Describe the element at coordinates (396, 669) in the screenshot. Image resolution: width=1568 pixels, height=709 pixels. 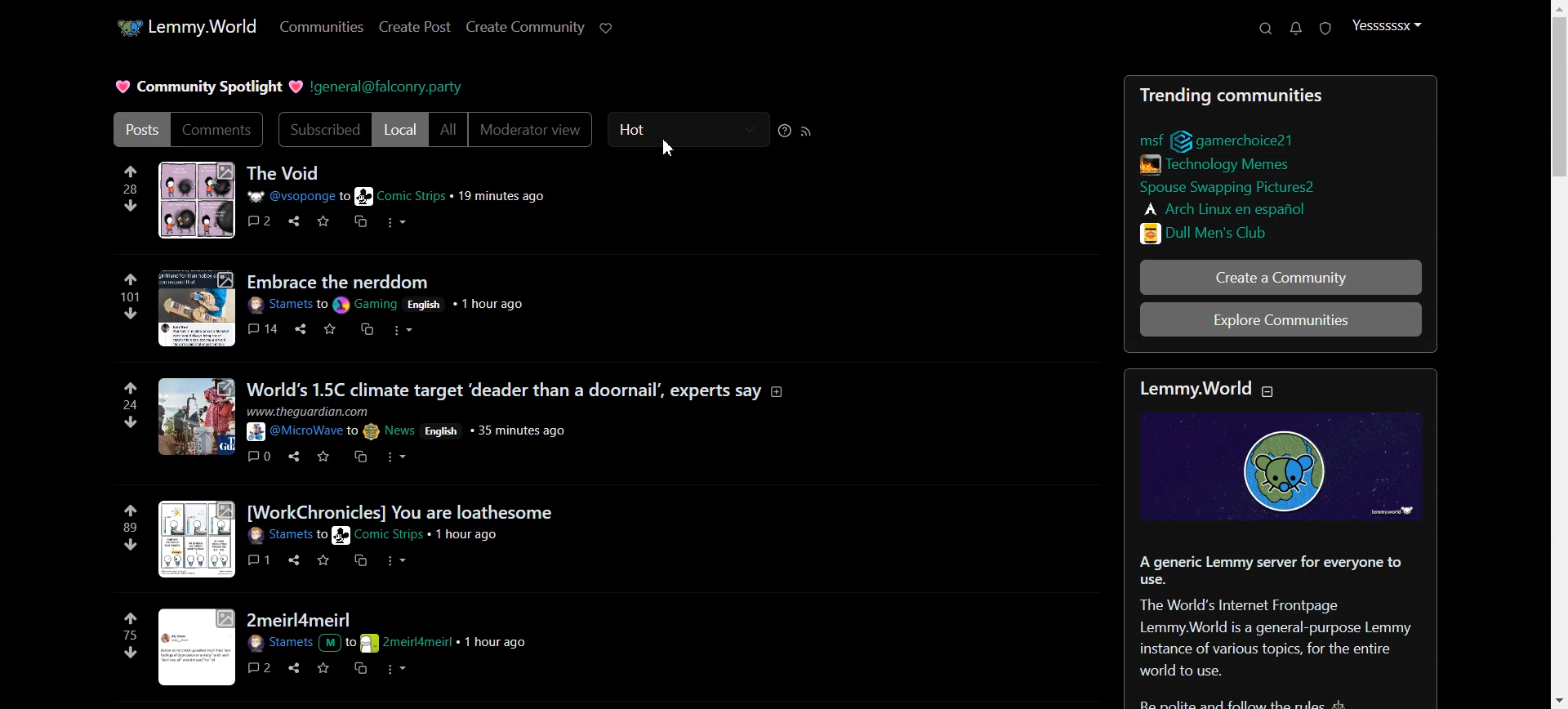
I see `more` at that location.